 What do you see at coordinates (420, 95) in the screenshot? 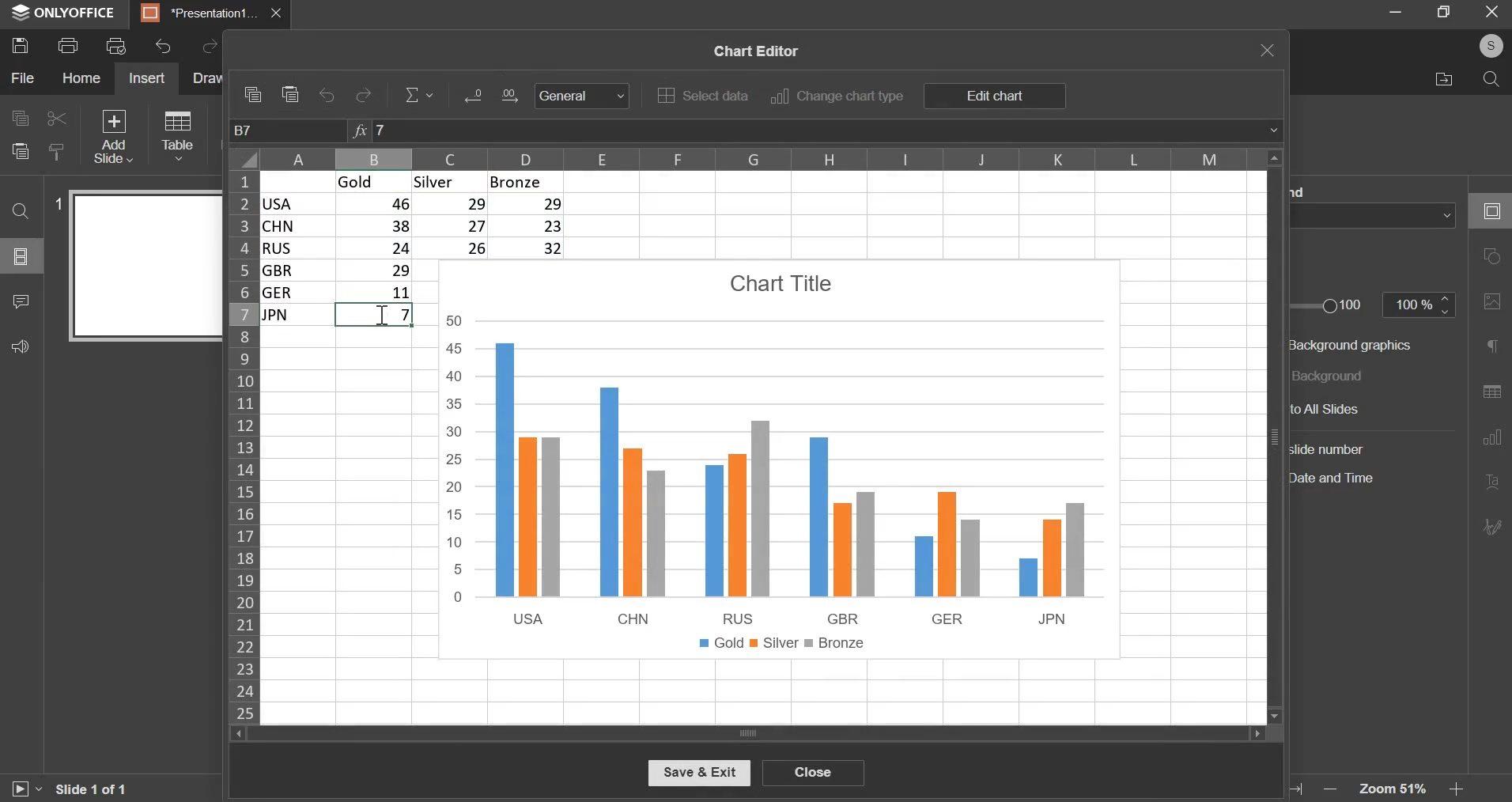
I see `equation` at bounding box center [420, 95].